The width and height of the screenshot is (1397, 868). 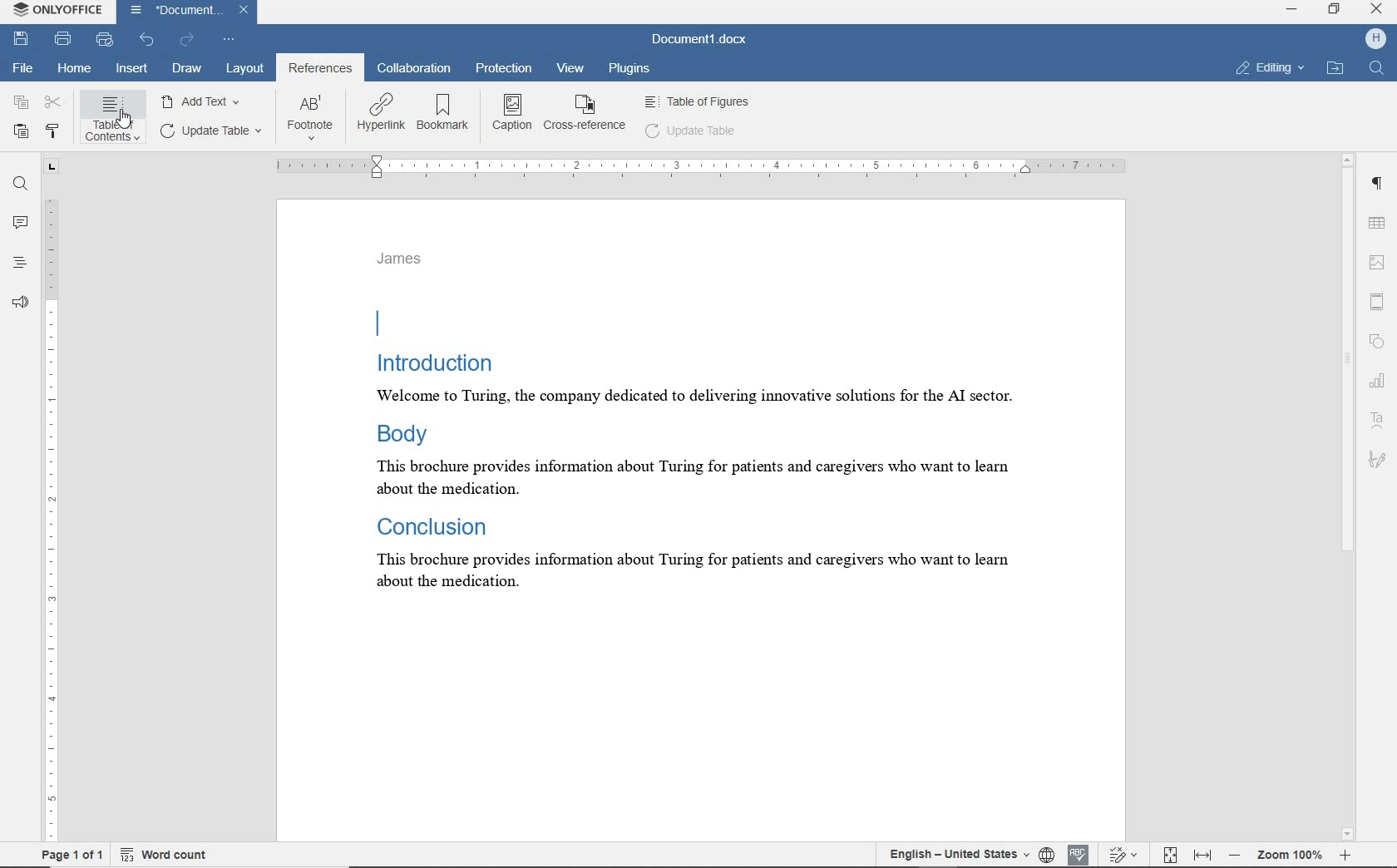 What do you see at coordinates (20, 262) in the screenshot?
I see `headings` at bounding box center [20, 262].